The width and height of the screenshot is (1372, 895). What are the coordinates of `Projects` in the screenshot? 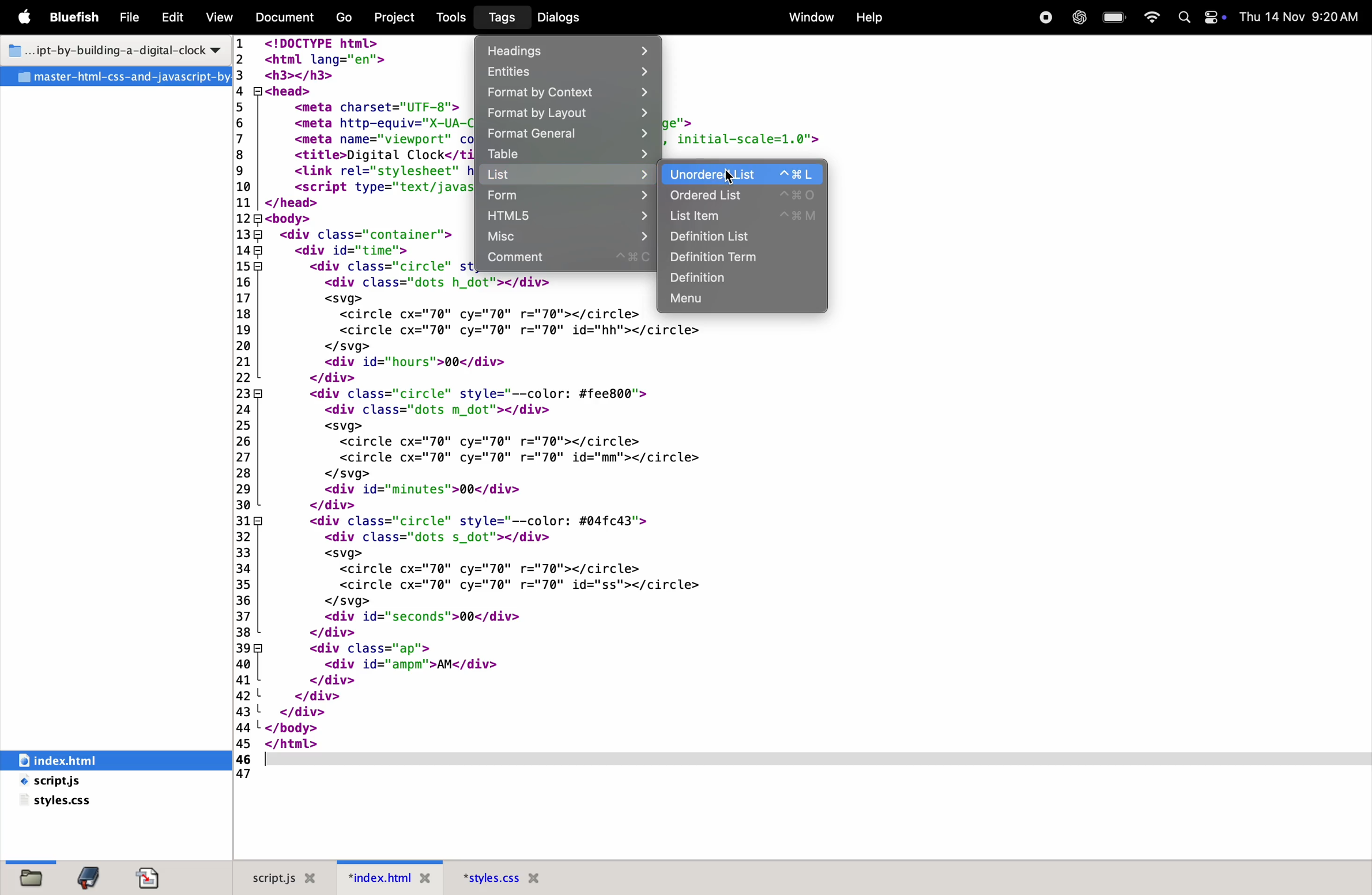 It's located at (399, 16).